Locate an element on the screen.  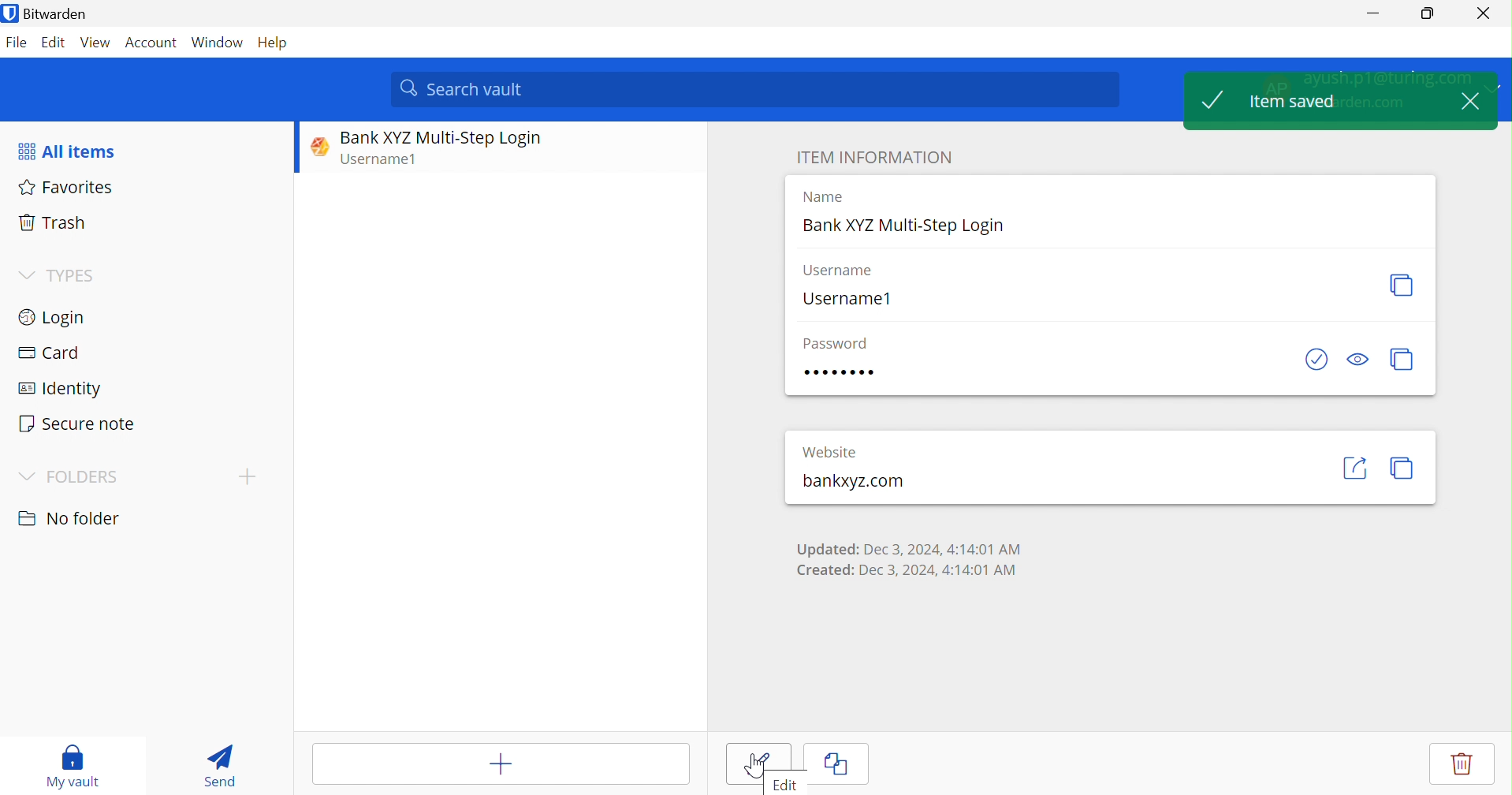
Regenerate username is located at coordinates (1400, 285).